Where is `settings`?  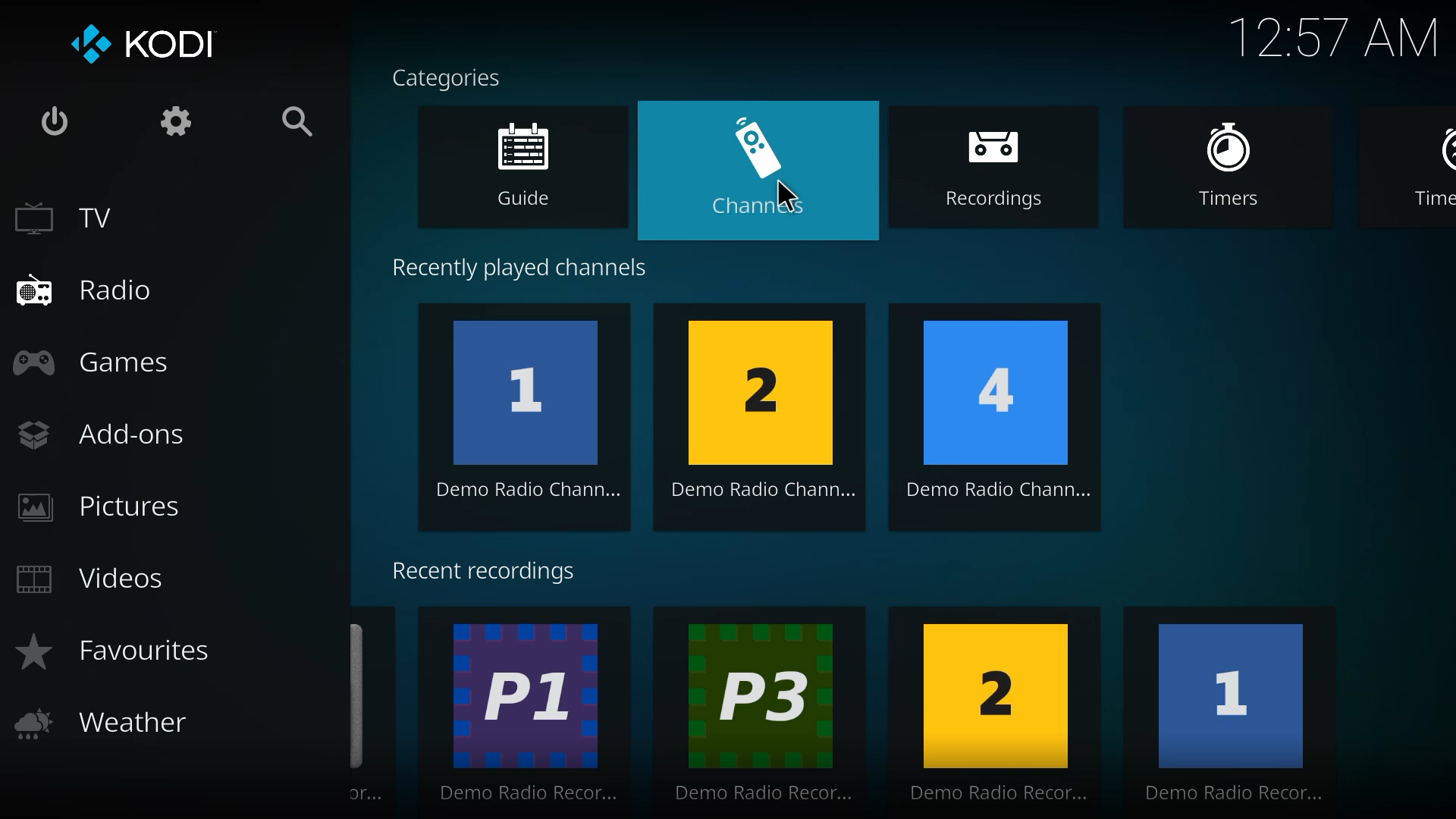
settings is located at coordinates (171, 118).